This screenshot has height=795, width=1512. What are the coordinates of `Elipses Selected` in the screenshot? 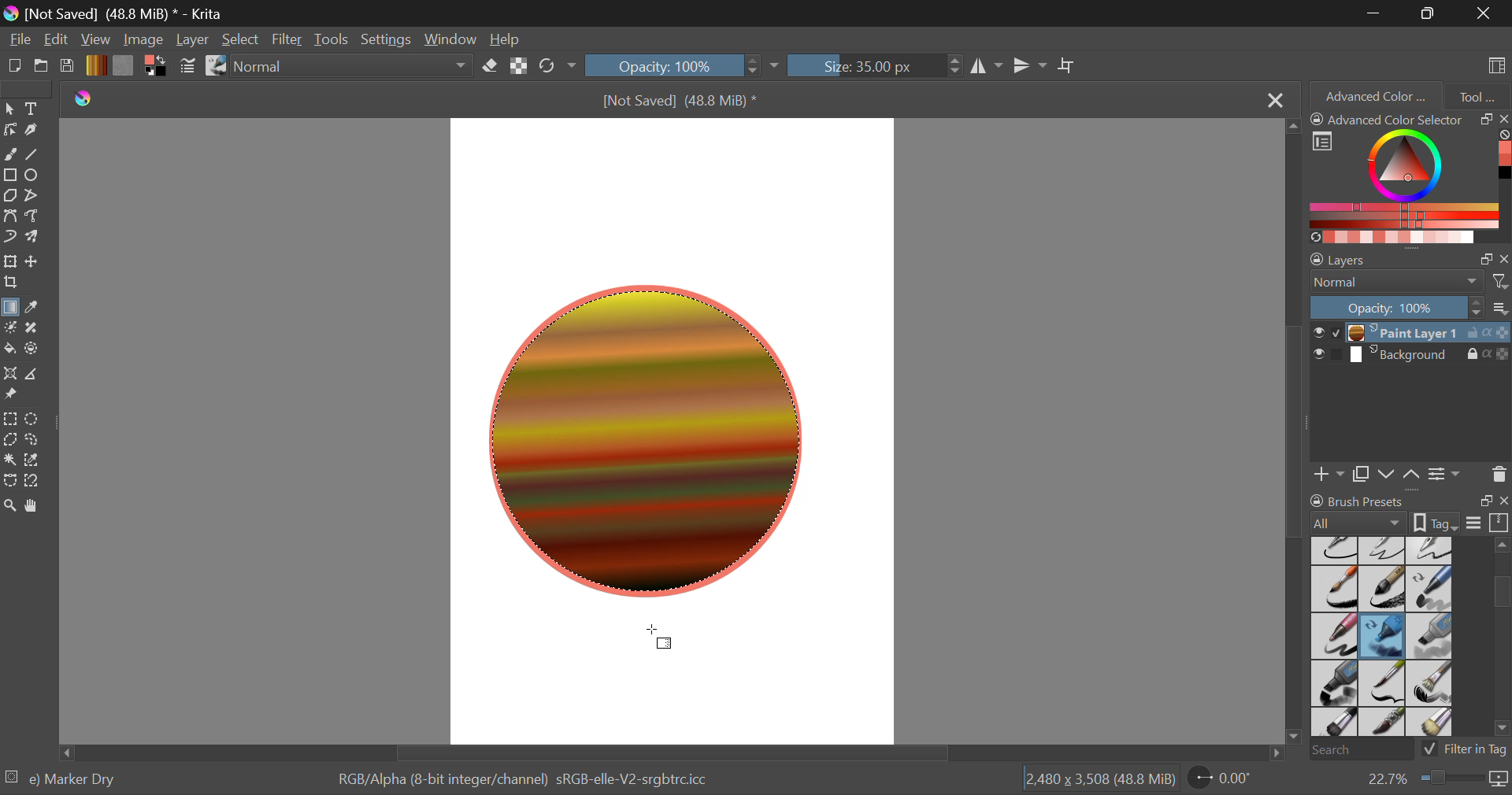 It's located at (35, 174).